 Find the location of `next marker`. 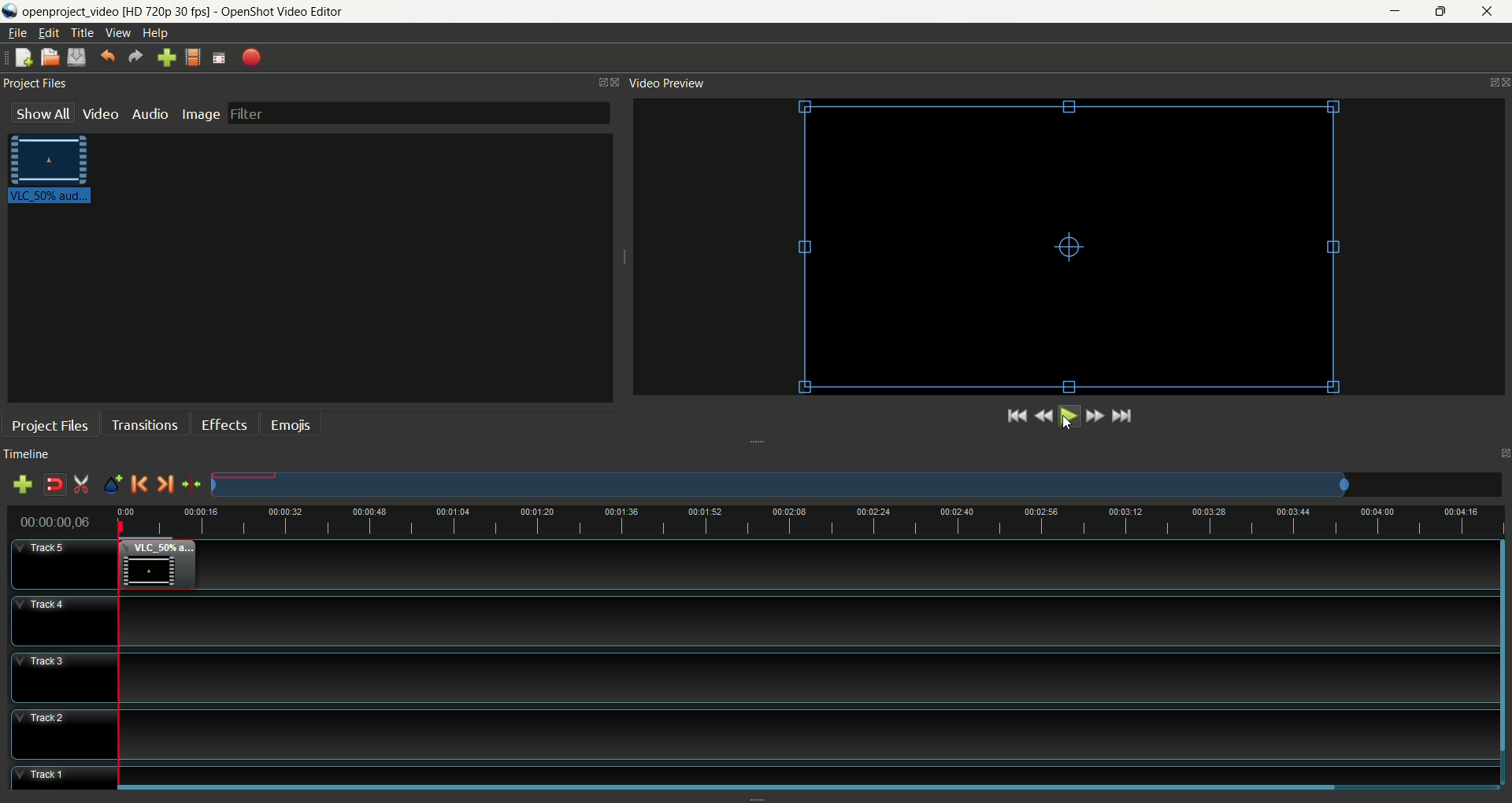

next marker is located at coordinates (165, 485).